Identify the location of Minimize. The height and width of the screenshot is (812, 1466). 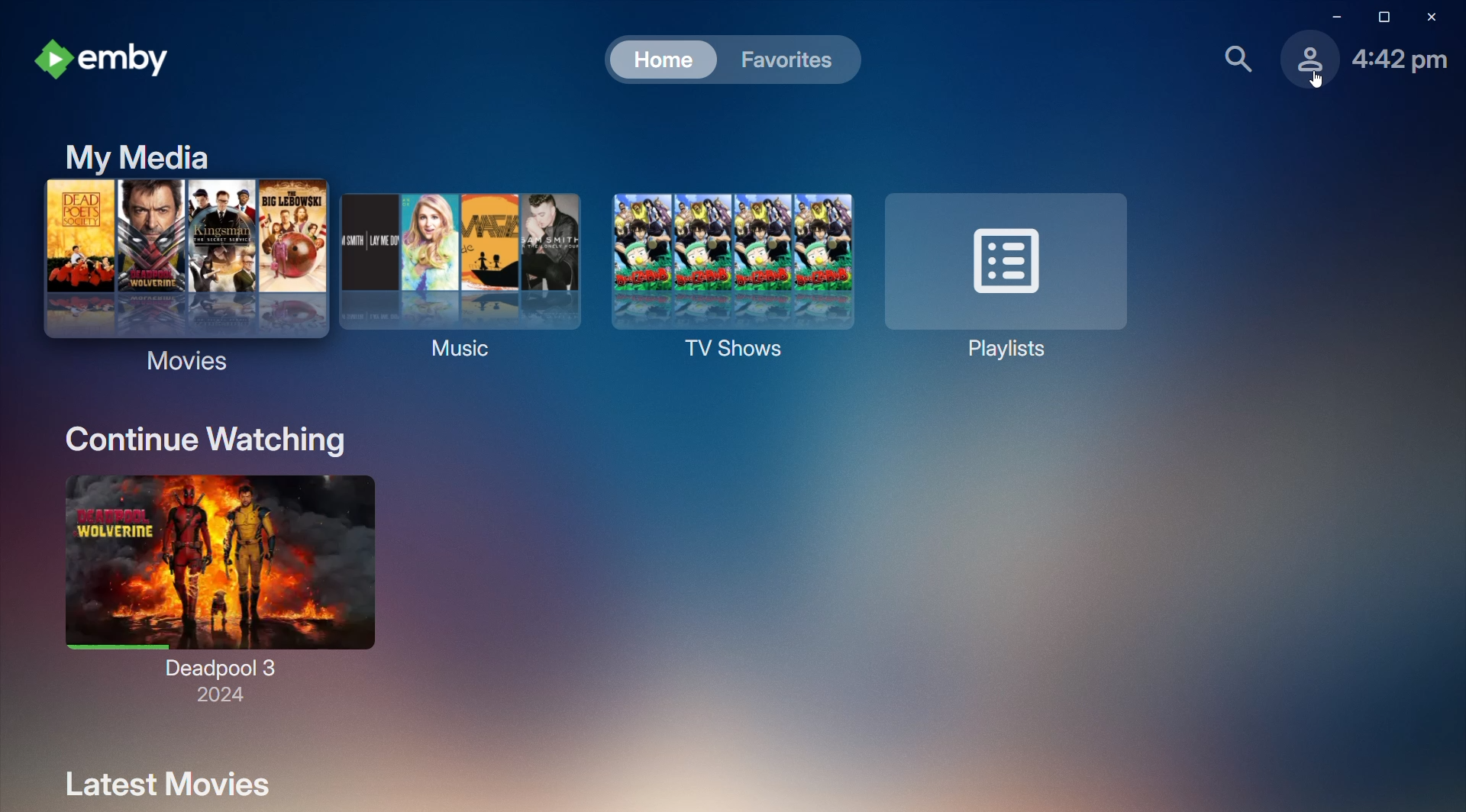
(1331, 19).